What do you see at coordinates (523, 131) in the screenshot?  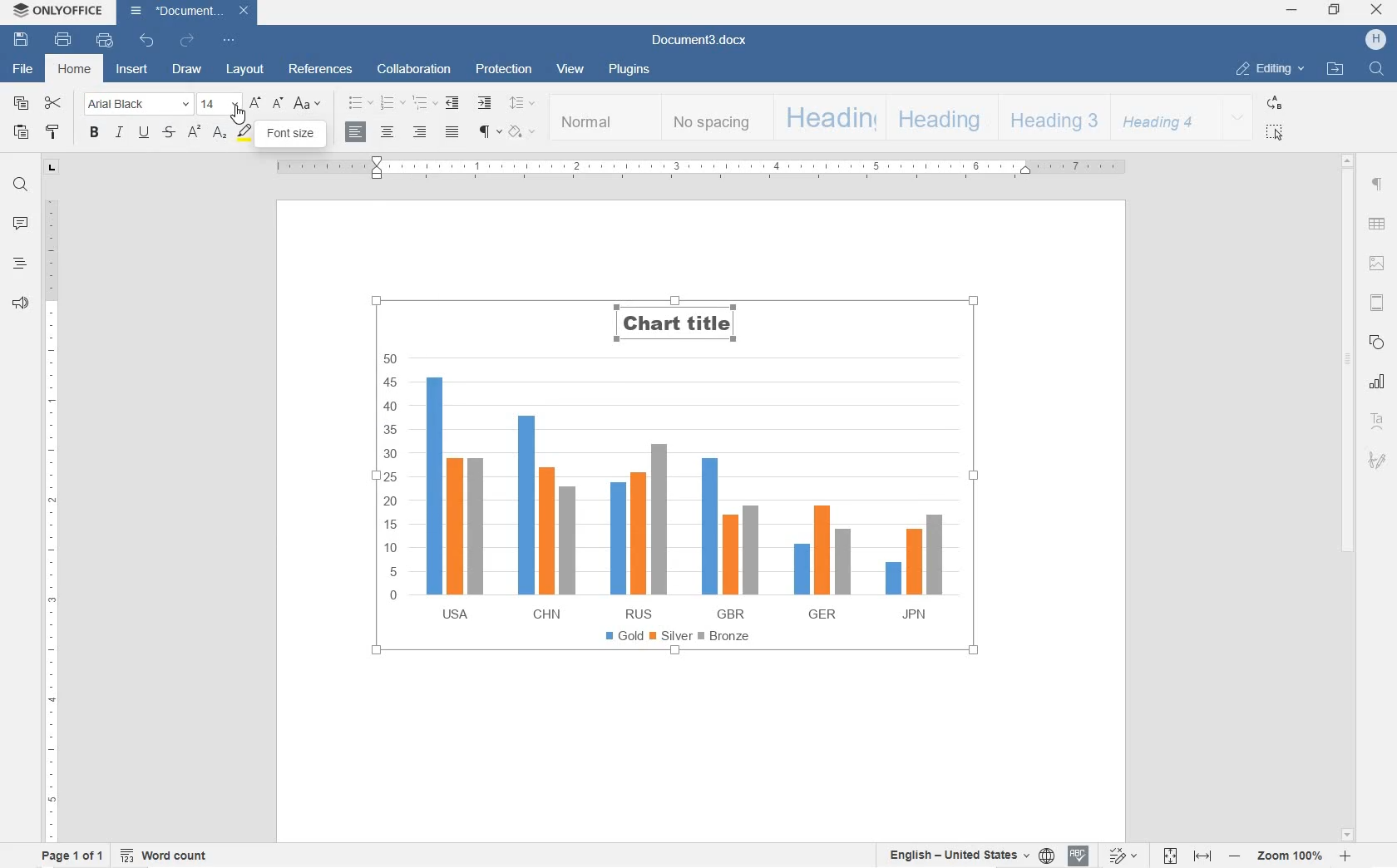 I see `SHADING` at bounding box center [523, 131].